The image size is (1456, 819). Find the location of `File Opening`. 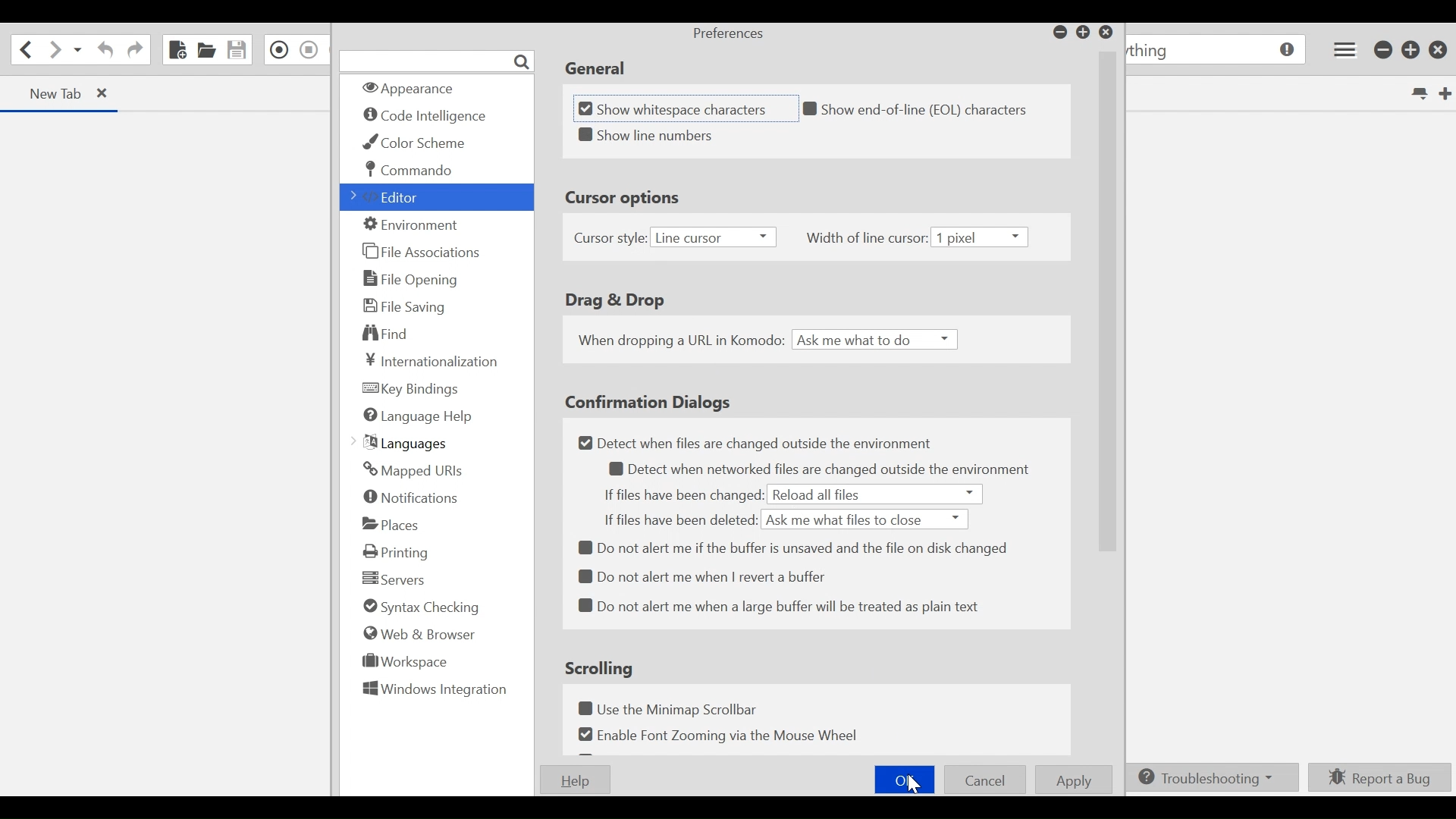

File Opening is located at coordinates (408, 280).